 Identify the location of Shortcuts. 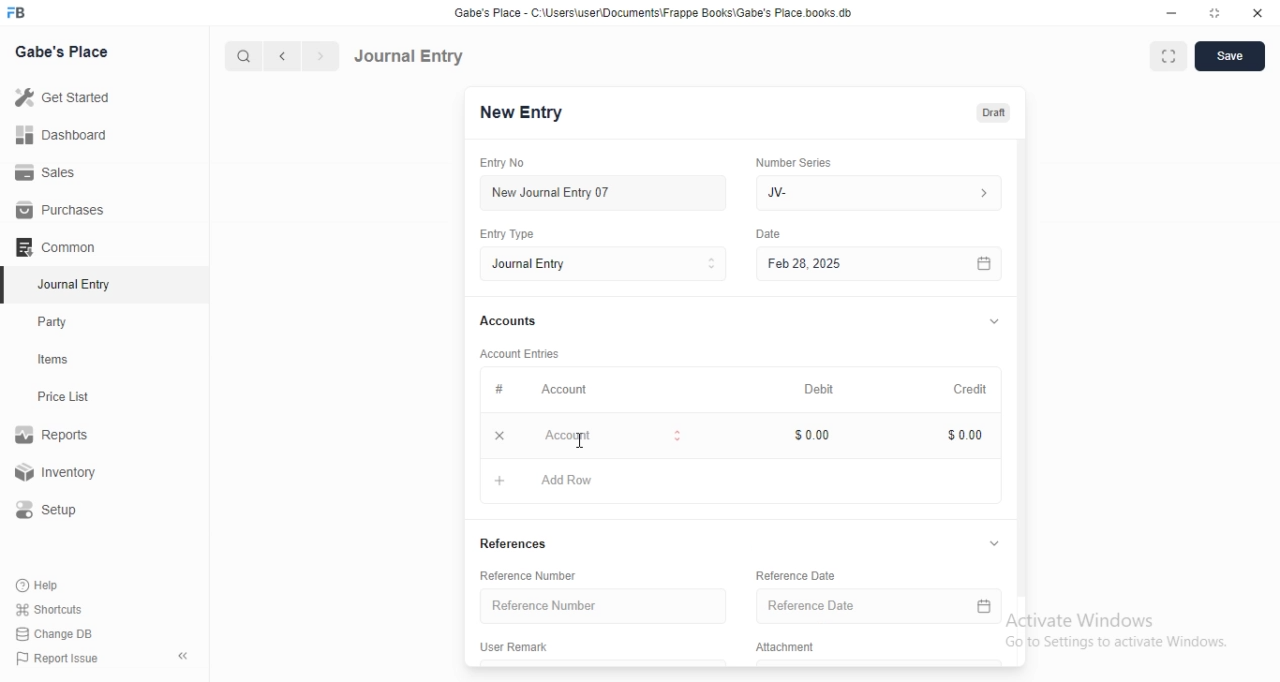
(49, 608).